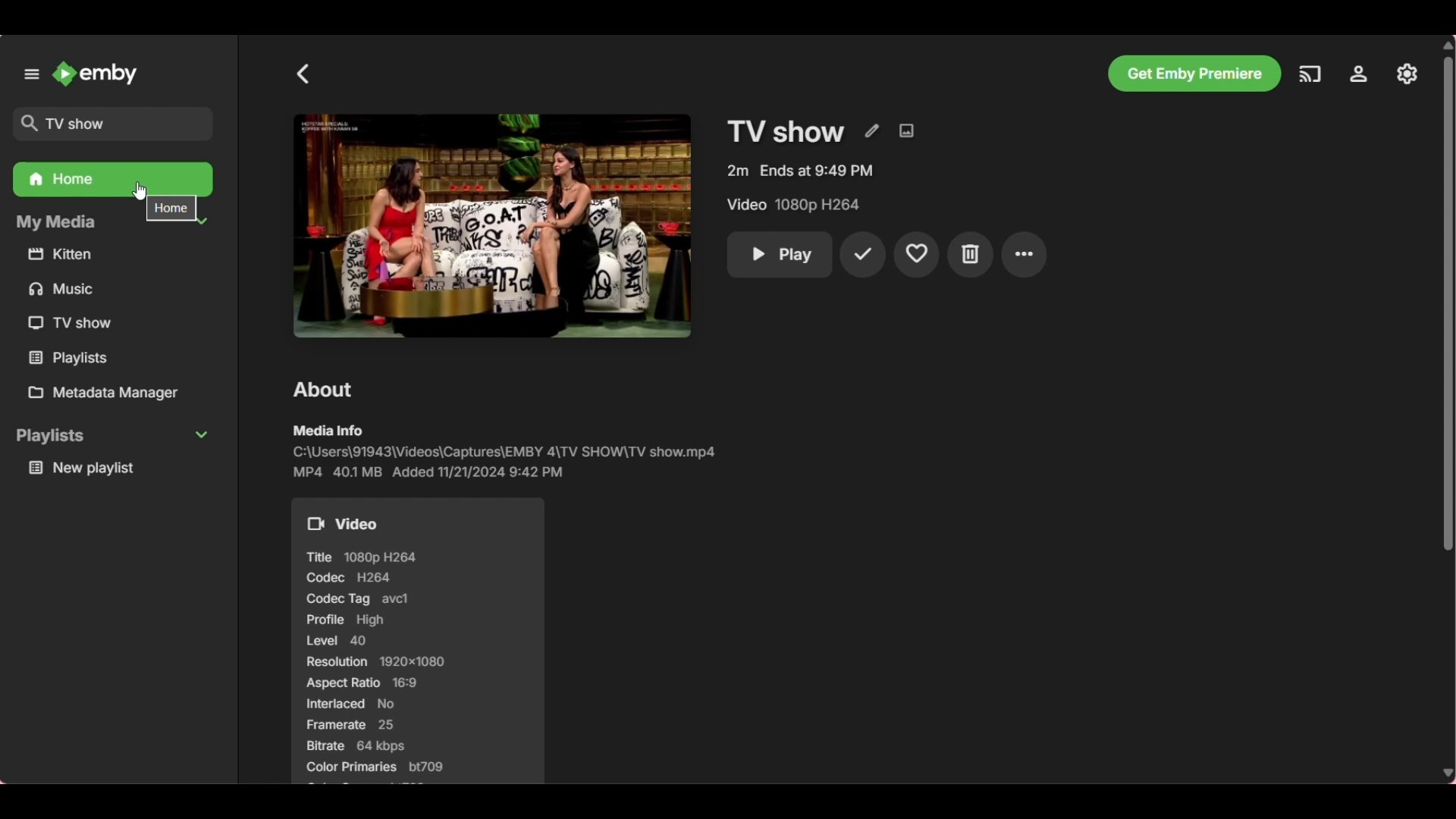 Image resolution: width=1456 pixels, height=819 pixels. What do you see at coordinates (507, 451) in the screenshot?
I see `C:\Users\91943\Videos\Captures\EMBY 4\TV SHOW\TV show.mp4` at bounding box center [507, 451].